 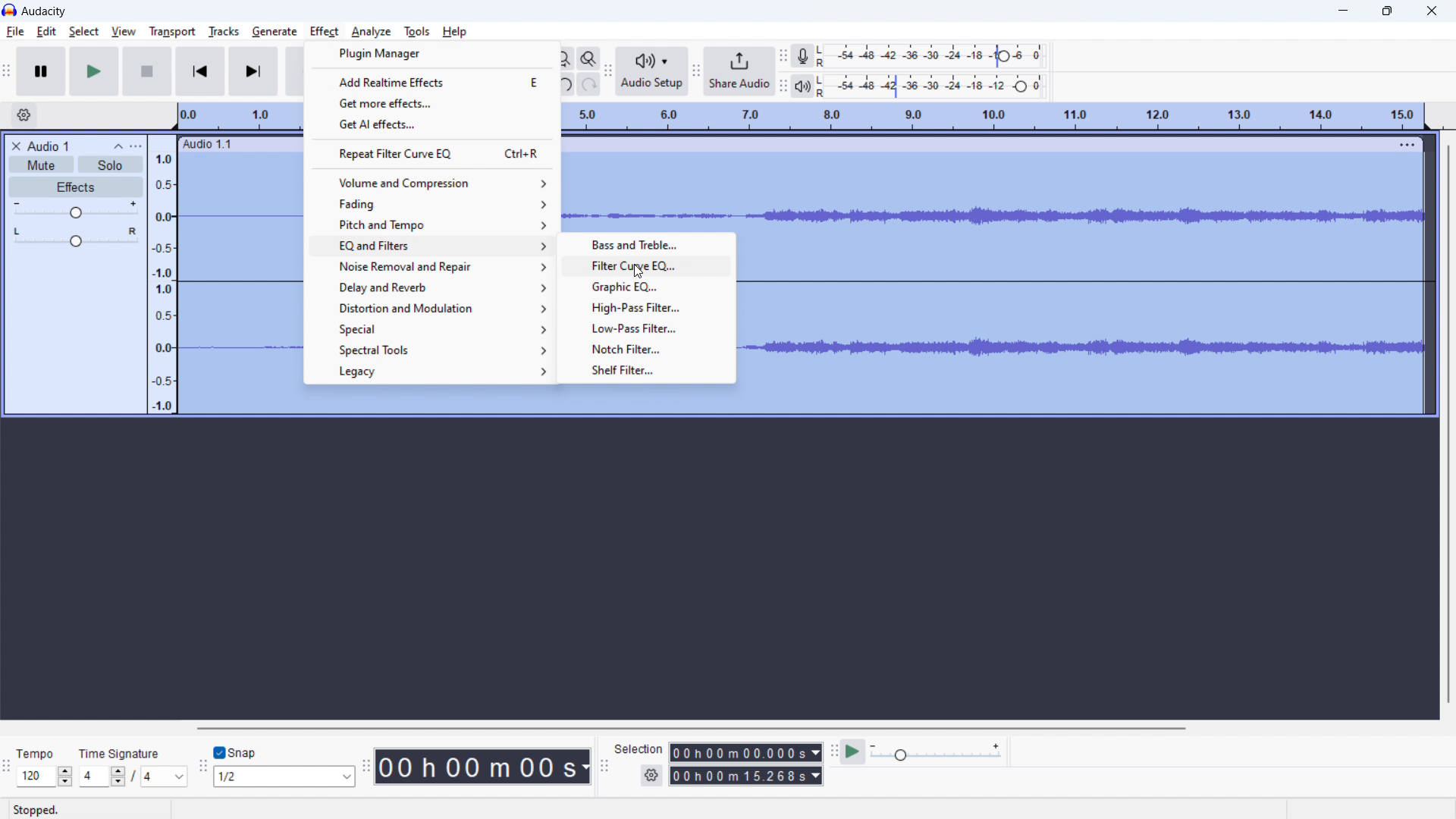 I want to click on pause, so click(x=42, y=71).